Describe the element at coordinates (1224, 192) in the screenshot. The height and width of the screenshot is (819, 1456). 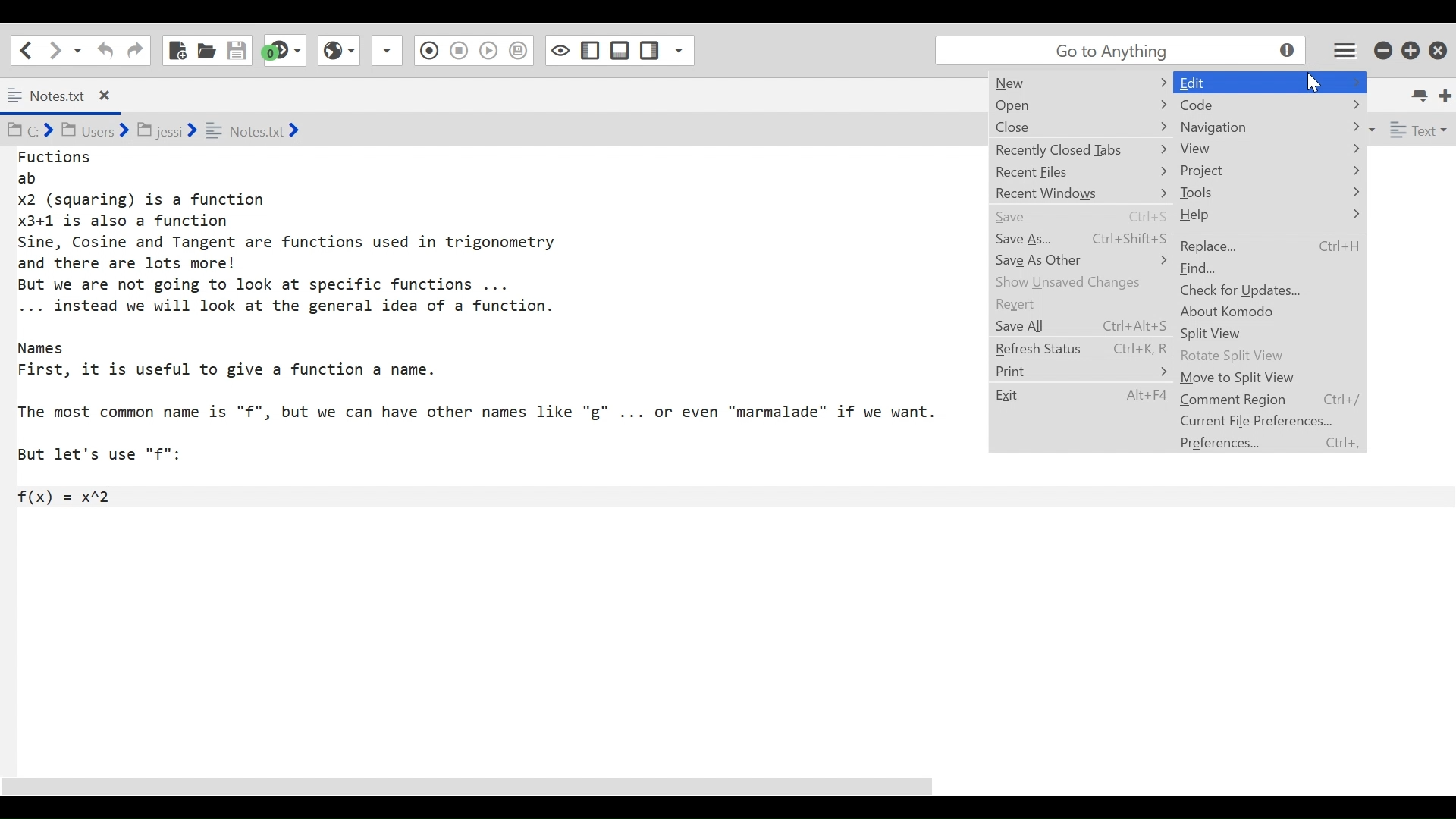
I see `Tools` at that location.